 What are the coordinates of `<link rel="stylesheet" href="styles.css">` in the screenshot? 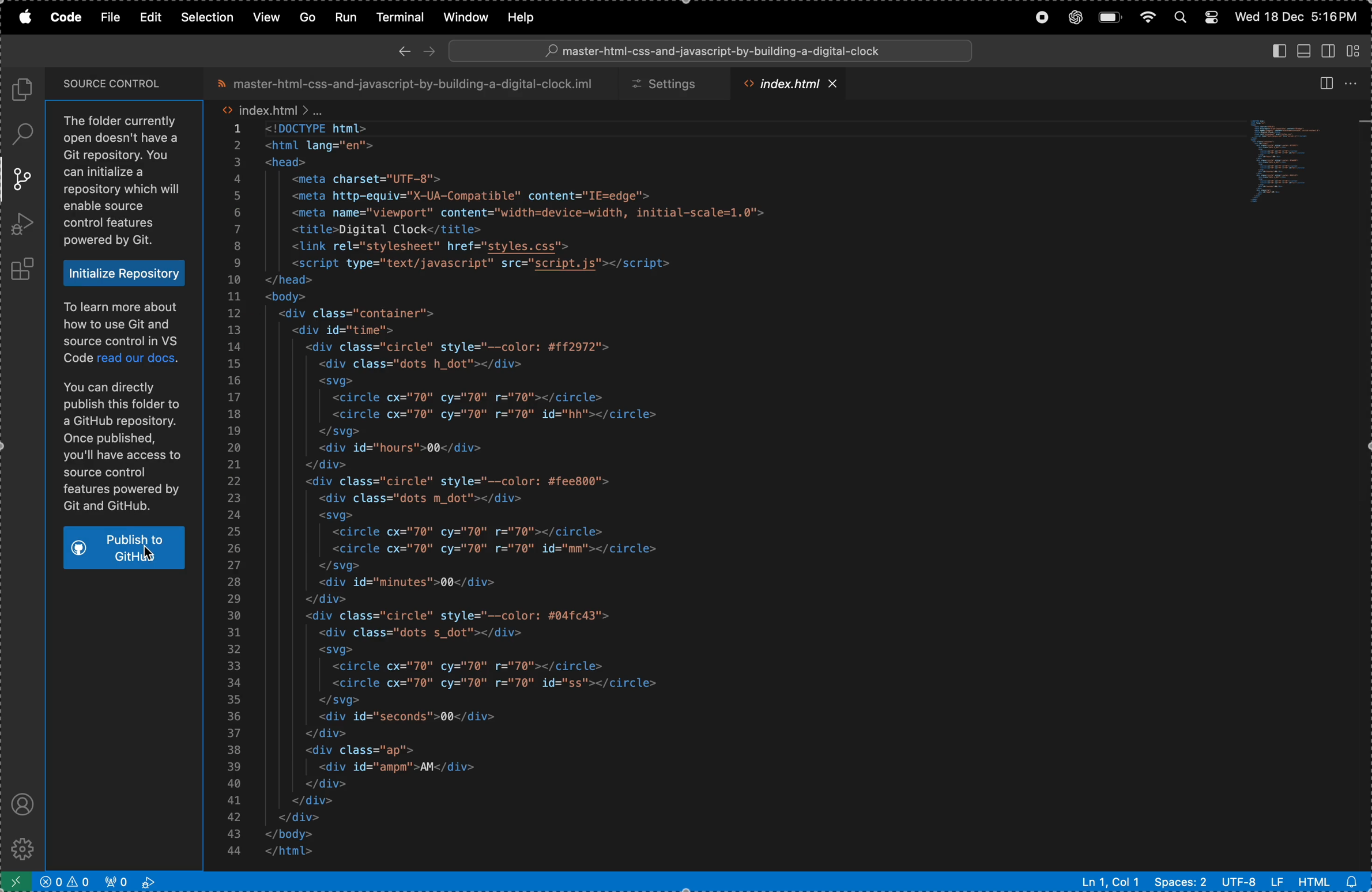 It's located at (439, 247).